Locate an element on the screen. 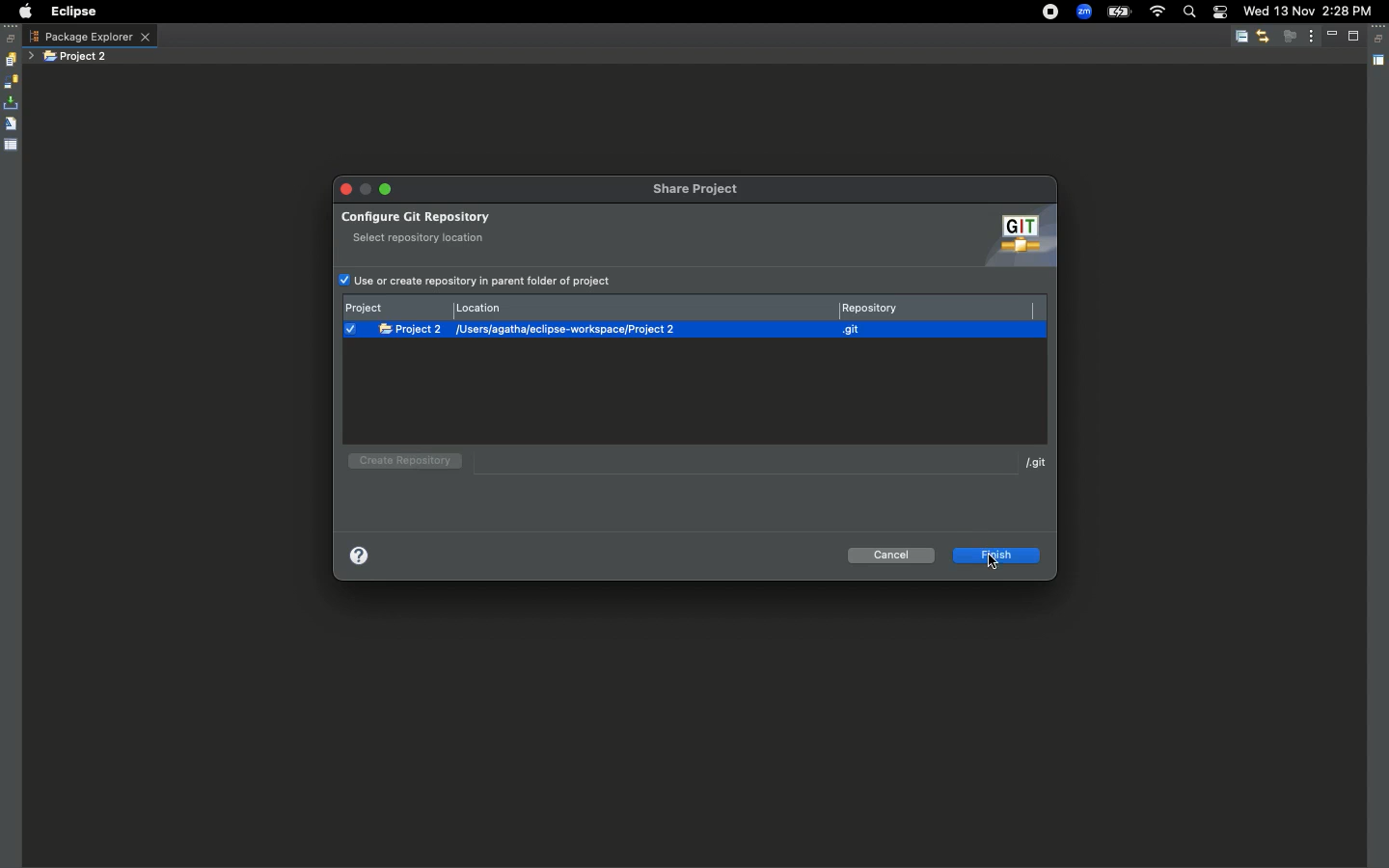  Focus on active task is located at coordinates (1290, 36).